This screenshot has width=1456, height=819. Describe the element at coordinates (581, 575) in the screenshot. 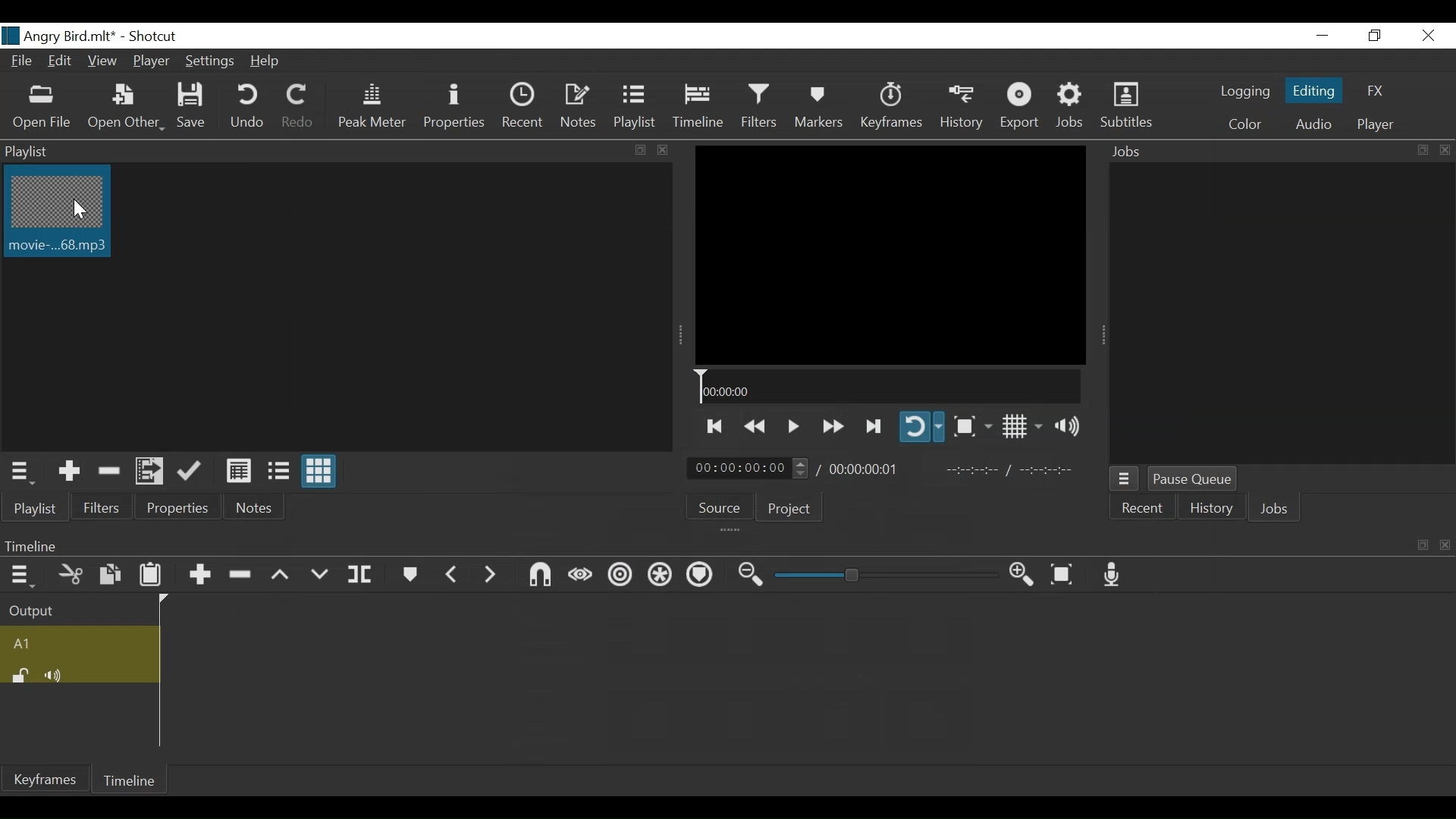

I see `Scrub while dragging` at that location.